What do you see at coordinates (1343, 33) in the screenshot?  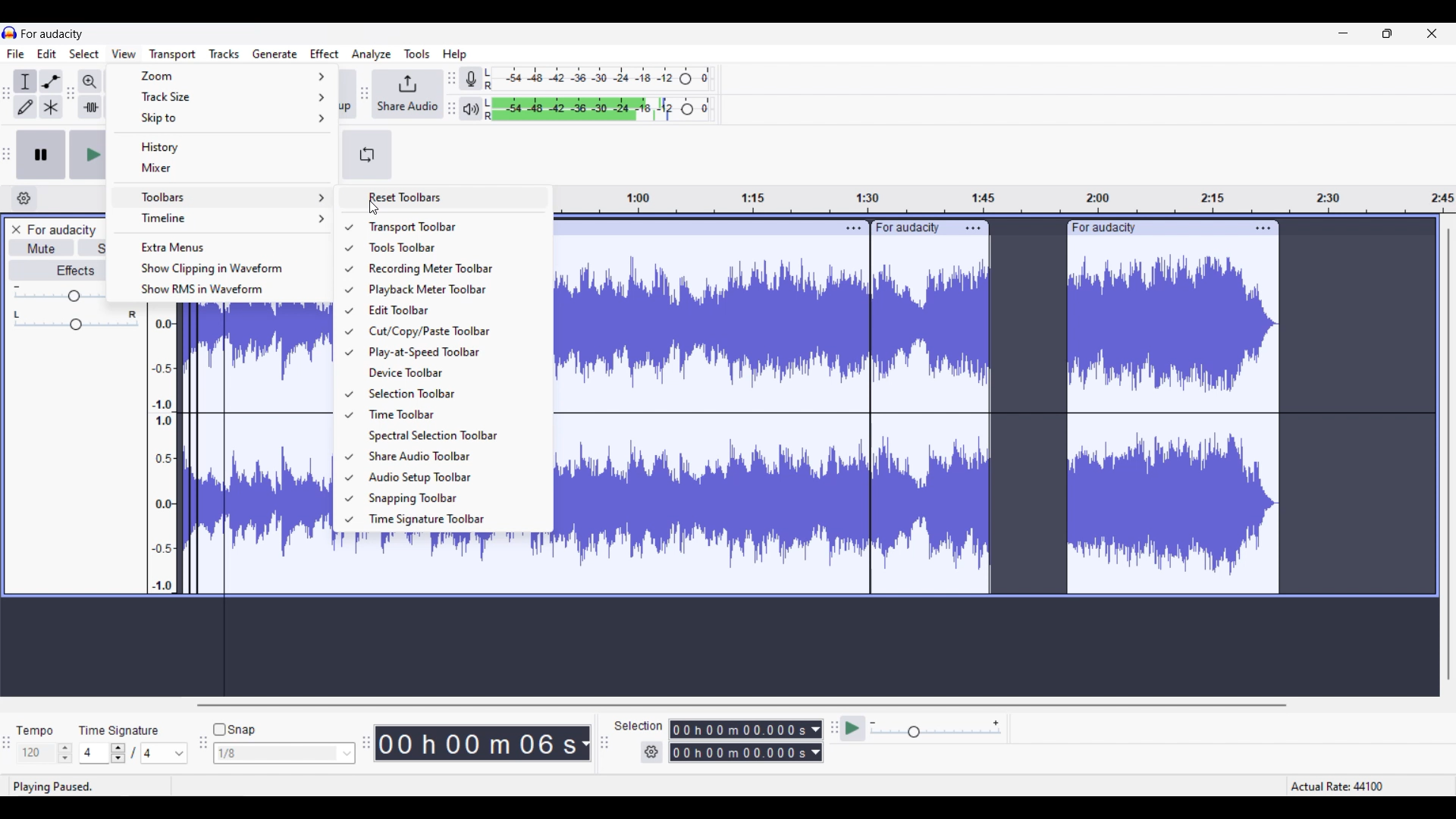 I see `Minimize` at bounding box center [1343, 33].